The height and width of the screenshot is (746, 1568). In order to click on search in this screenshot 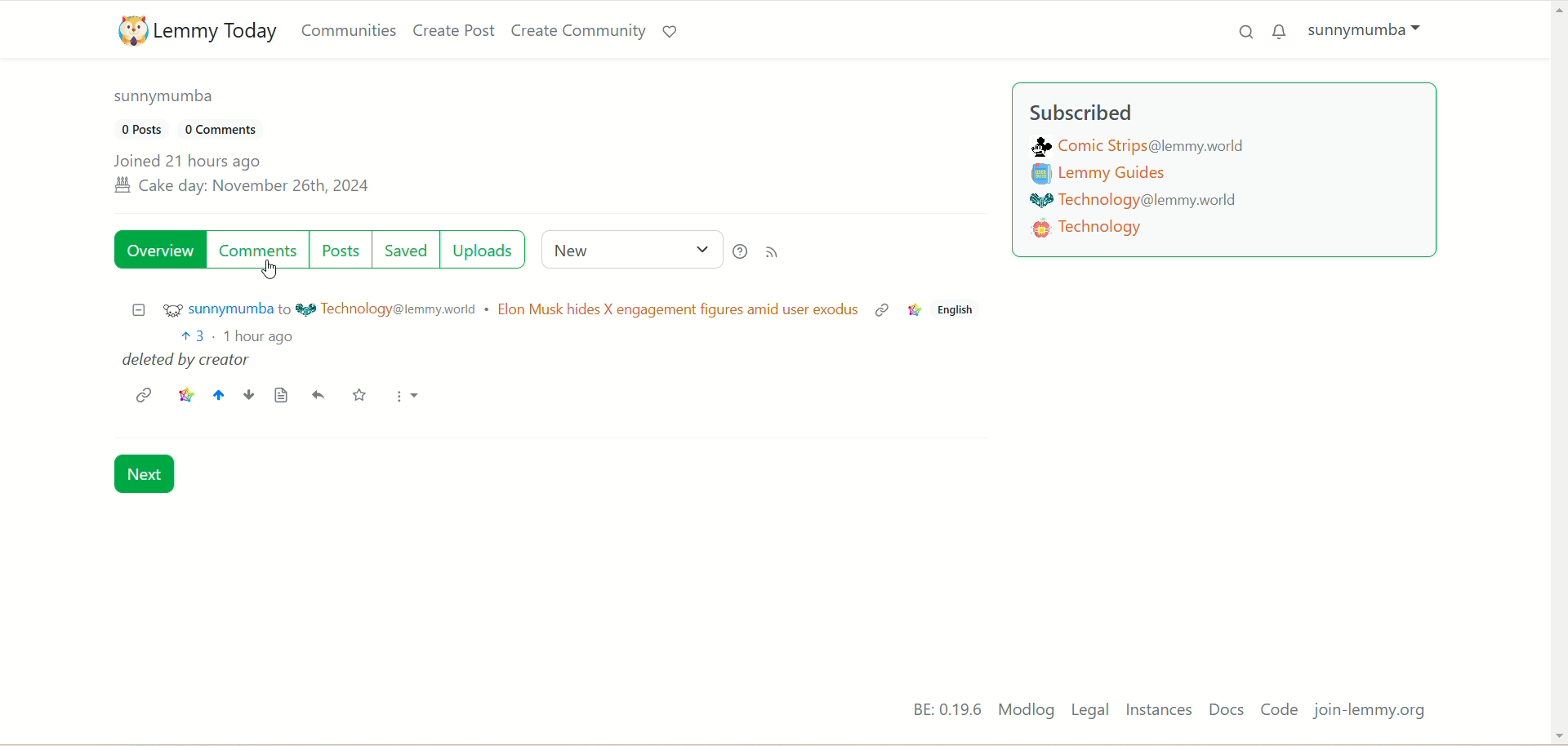, I will do `click(1239, 36)`.